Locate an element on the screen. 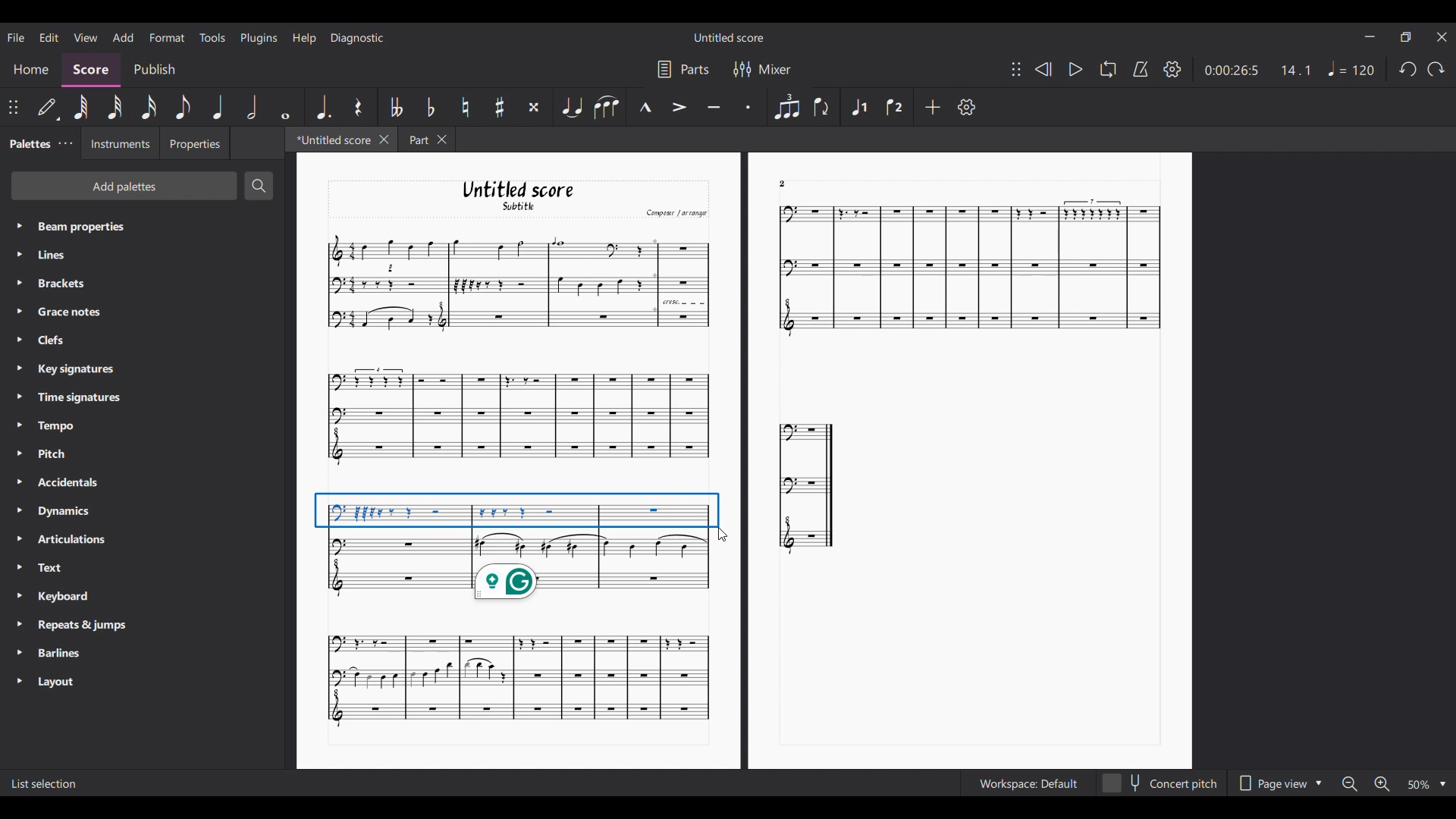  Toggle double flat is located at coordinates (397, 107).